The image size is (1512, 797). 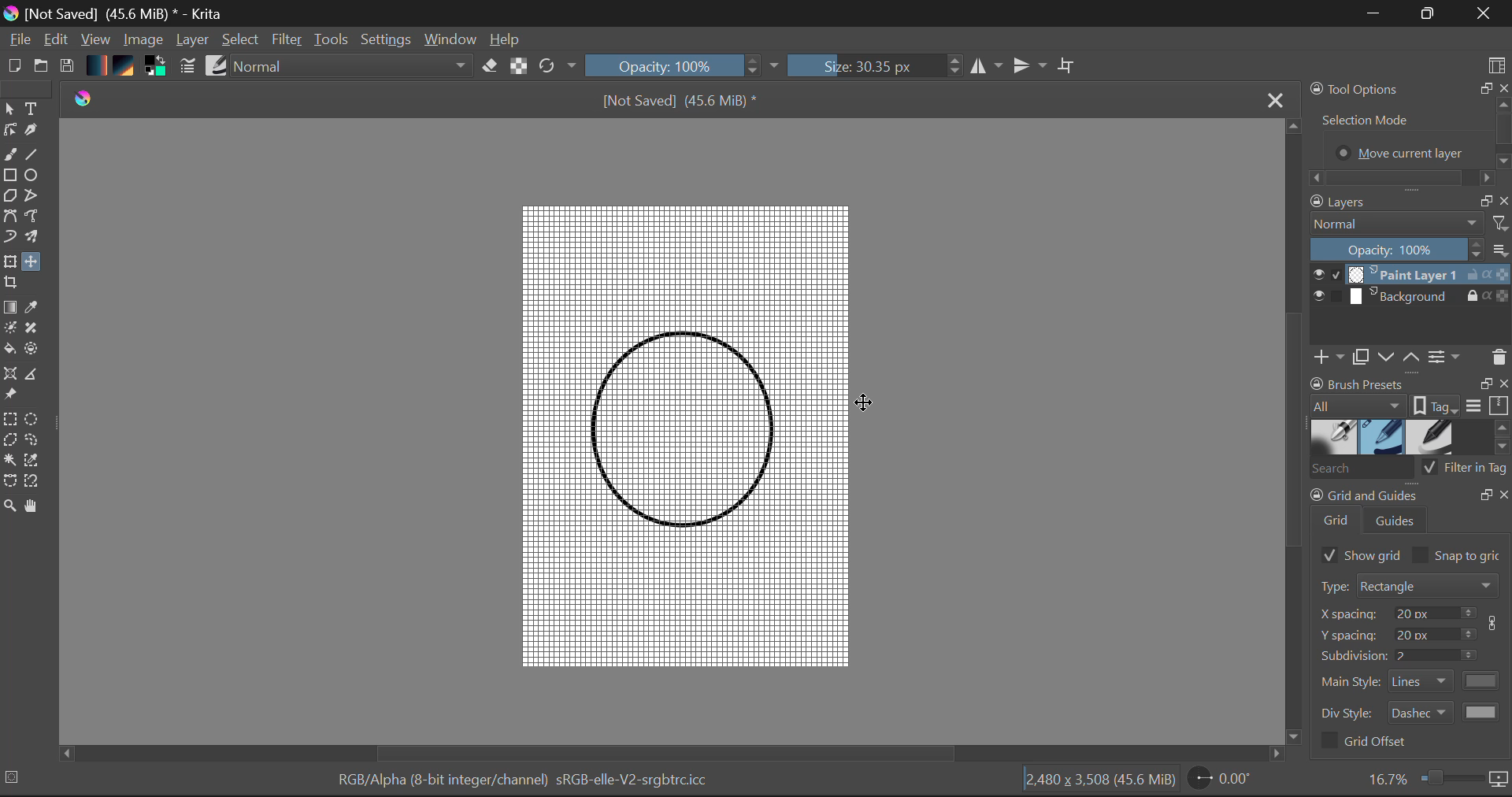 I want to click on Brush Presets, so click(x=217, y=67).